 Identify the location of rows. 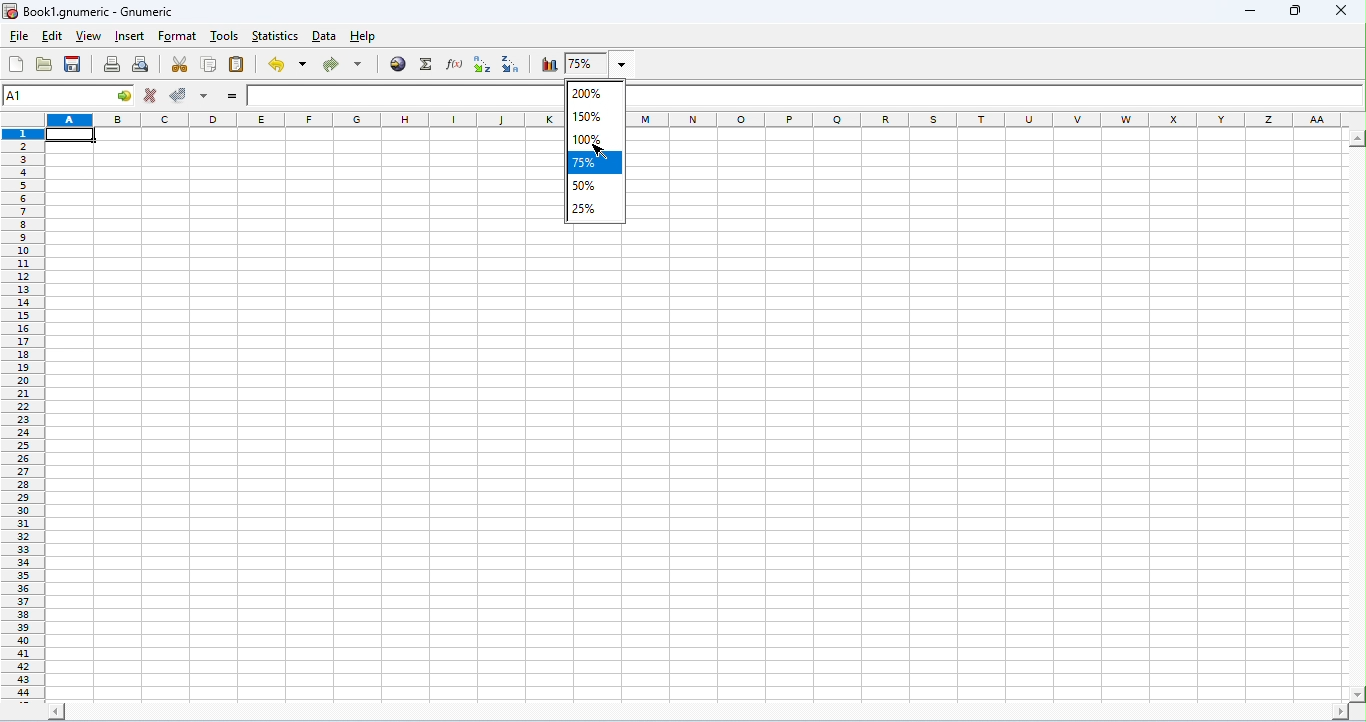
(304, 120).